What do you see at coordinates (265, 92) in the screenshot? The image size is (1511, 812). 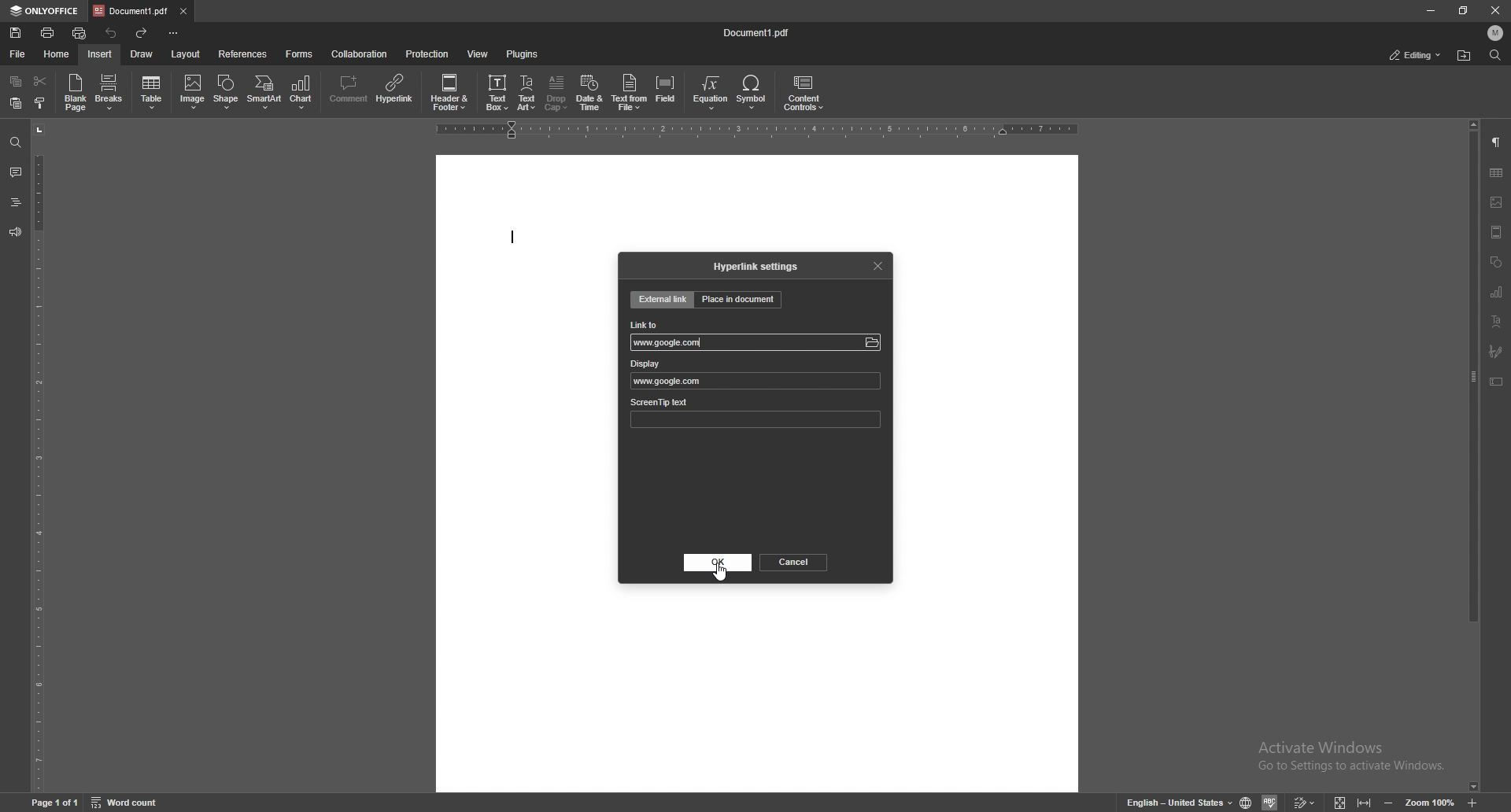 I see `smart art` at bounding box center [265, 92].